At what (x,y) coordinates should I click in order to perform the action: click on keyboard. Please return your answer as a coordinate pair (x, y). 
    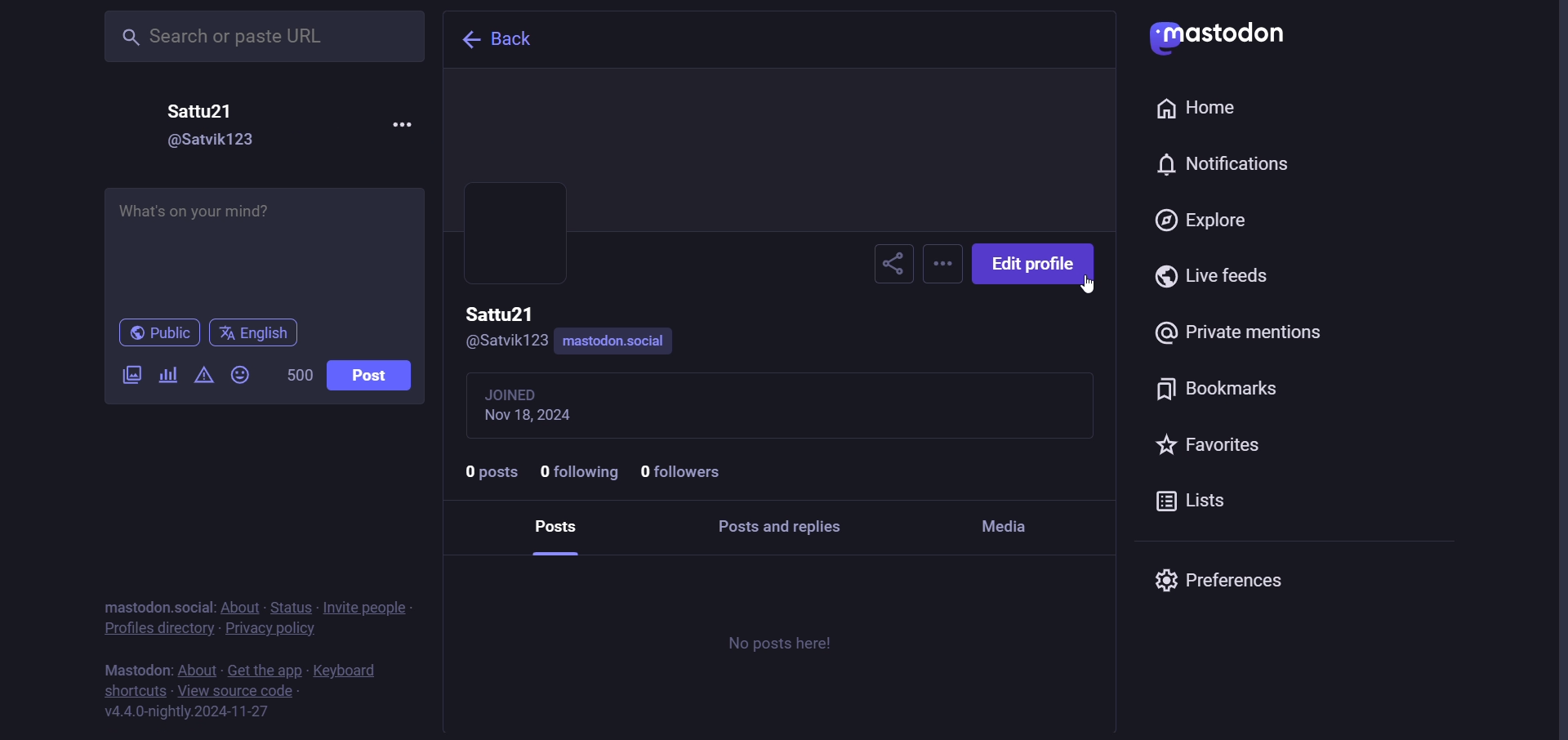
    Looking at the image, I should click on (350, 671).